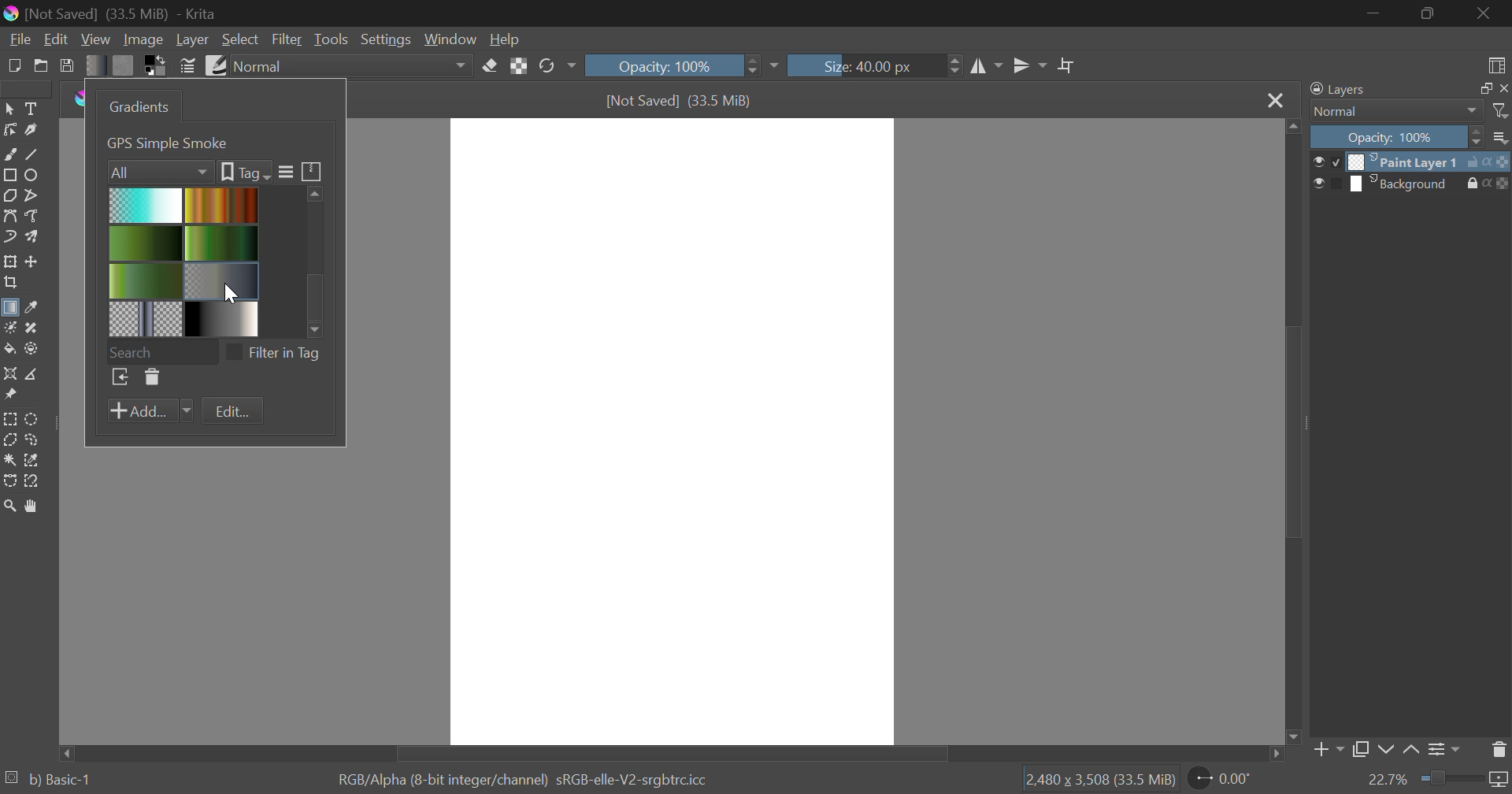 The image size is (1512, 794). Describe the element at coordinates (1388, 111) in the screenshot. I see `Normal` at that location.